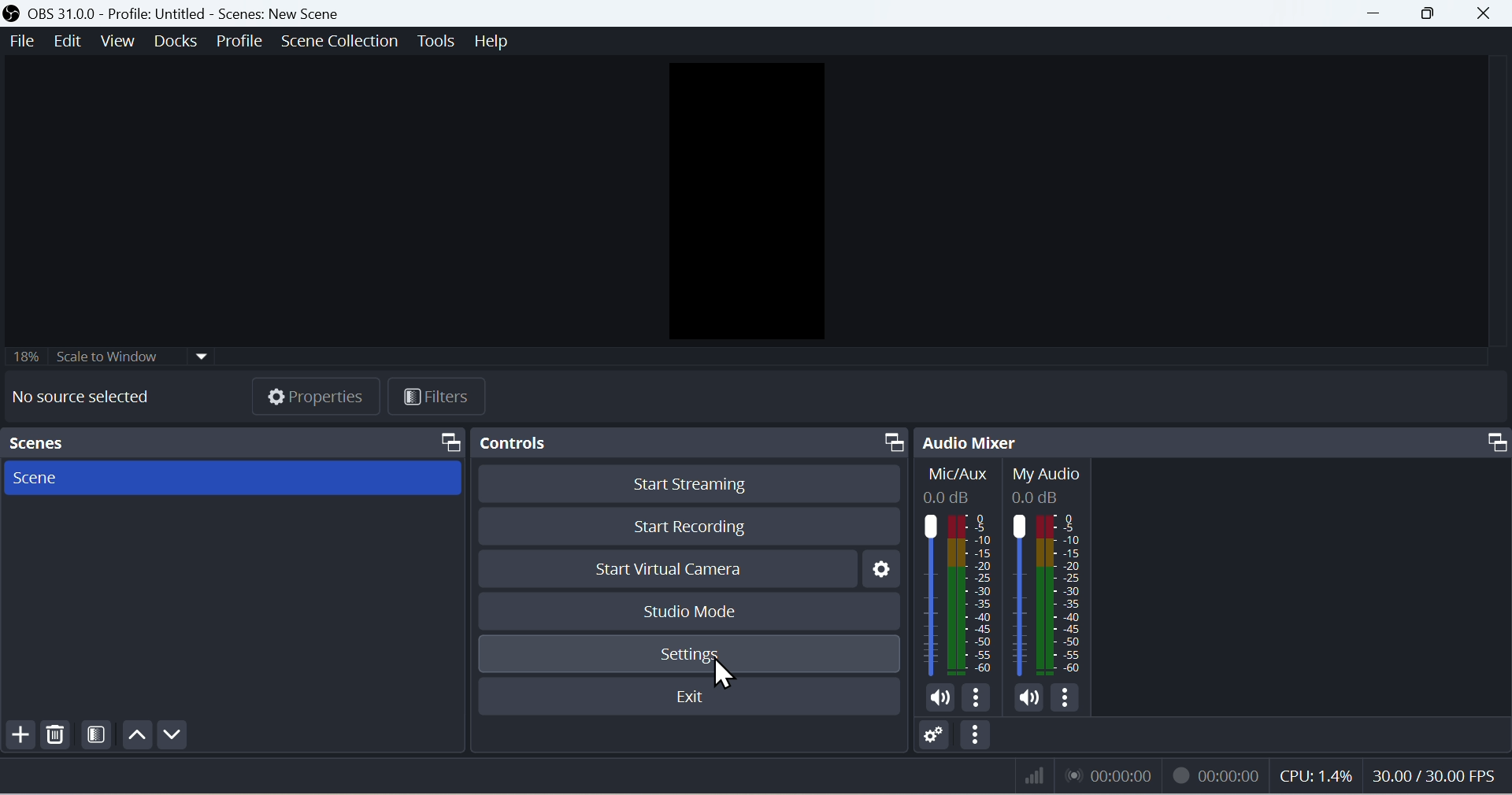  What do you see at coordinates (174, 40) in the screenshot?
I see `Docks` at bounding box center [174, 40].